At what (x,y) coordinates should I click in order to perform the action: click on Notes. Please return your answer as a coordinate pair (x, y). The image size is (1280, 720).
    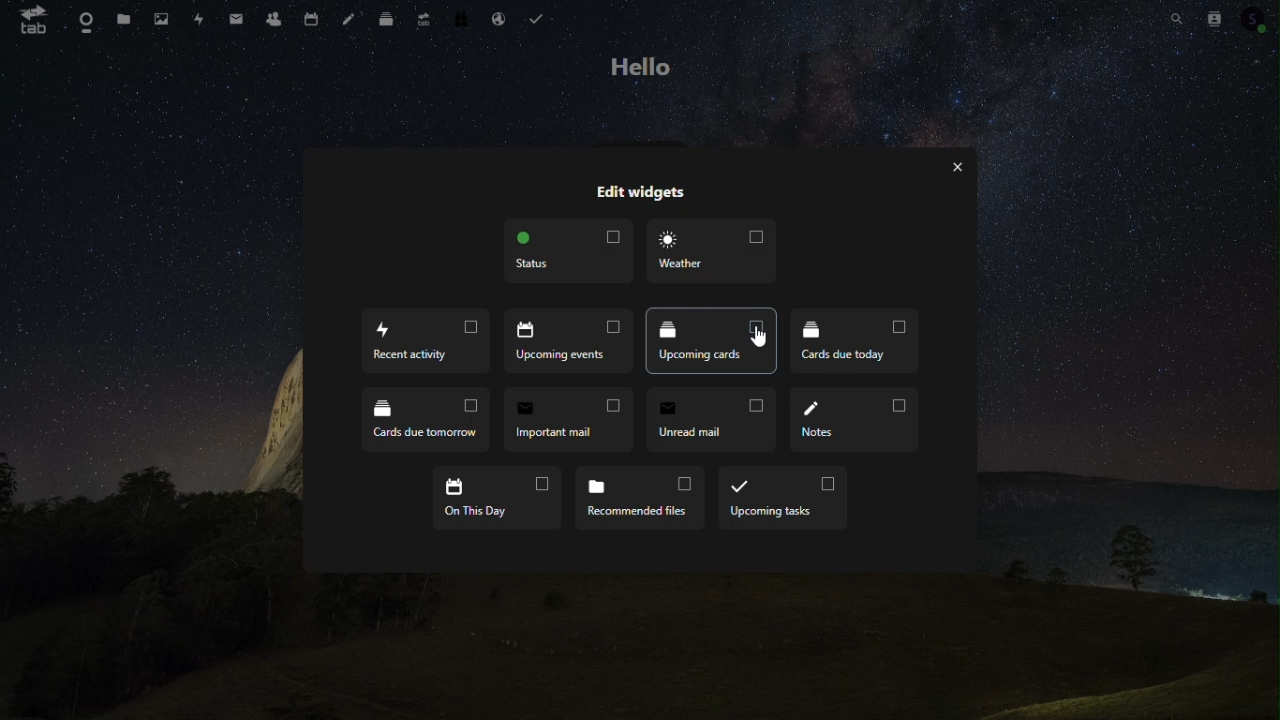
    Looking at the image, I should click on (349, 16).